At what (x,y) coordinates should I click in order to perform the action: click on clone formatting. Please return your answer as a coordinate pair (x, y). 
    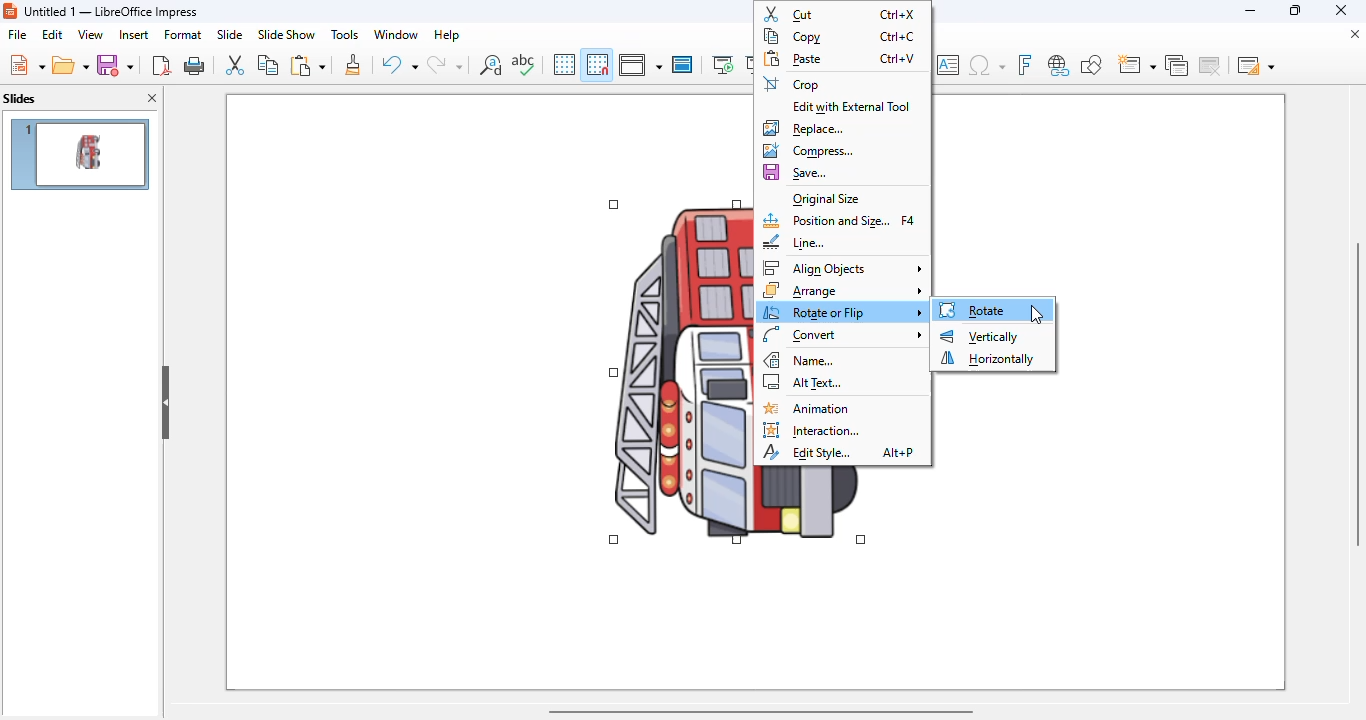
    Looking at the image, I should click on (353, 65).